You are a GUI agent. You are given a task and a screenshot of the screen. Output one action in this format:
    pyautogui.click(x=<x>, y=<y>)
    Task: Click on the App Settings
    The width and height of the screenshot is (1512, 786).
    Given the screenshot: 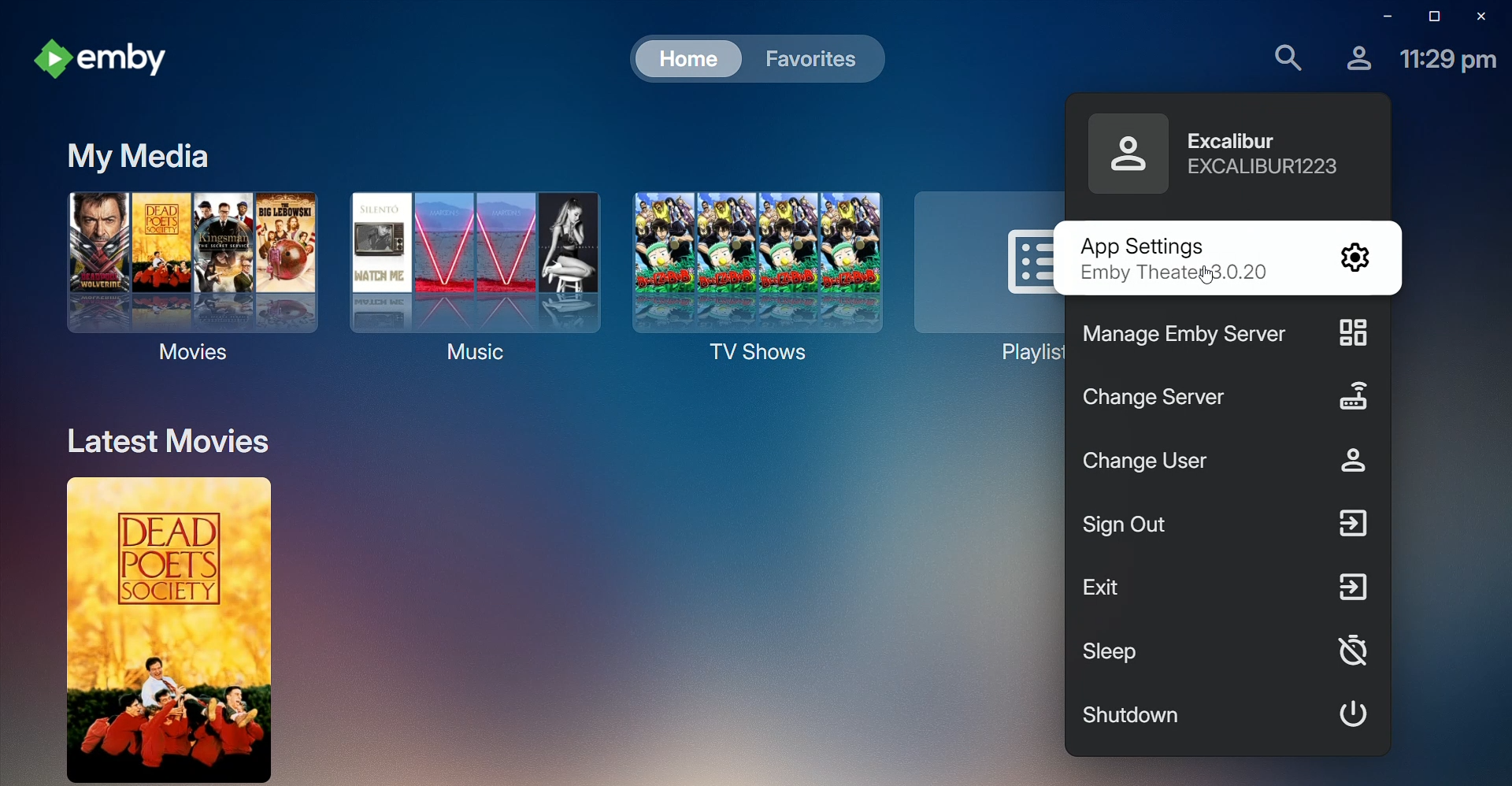 What is the action you would take?
    pyautogui.click(x=1230, y=258)
    